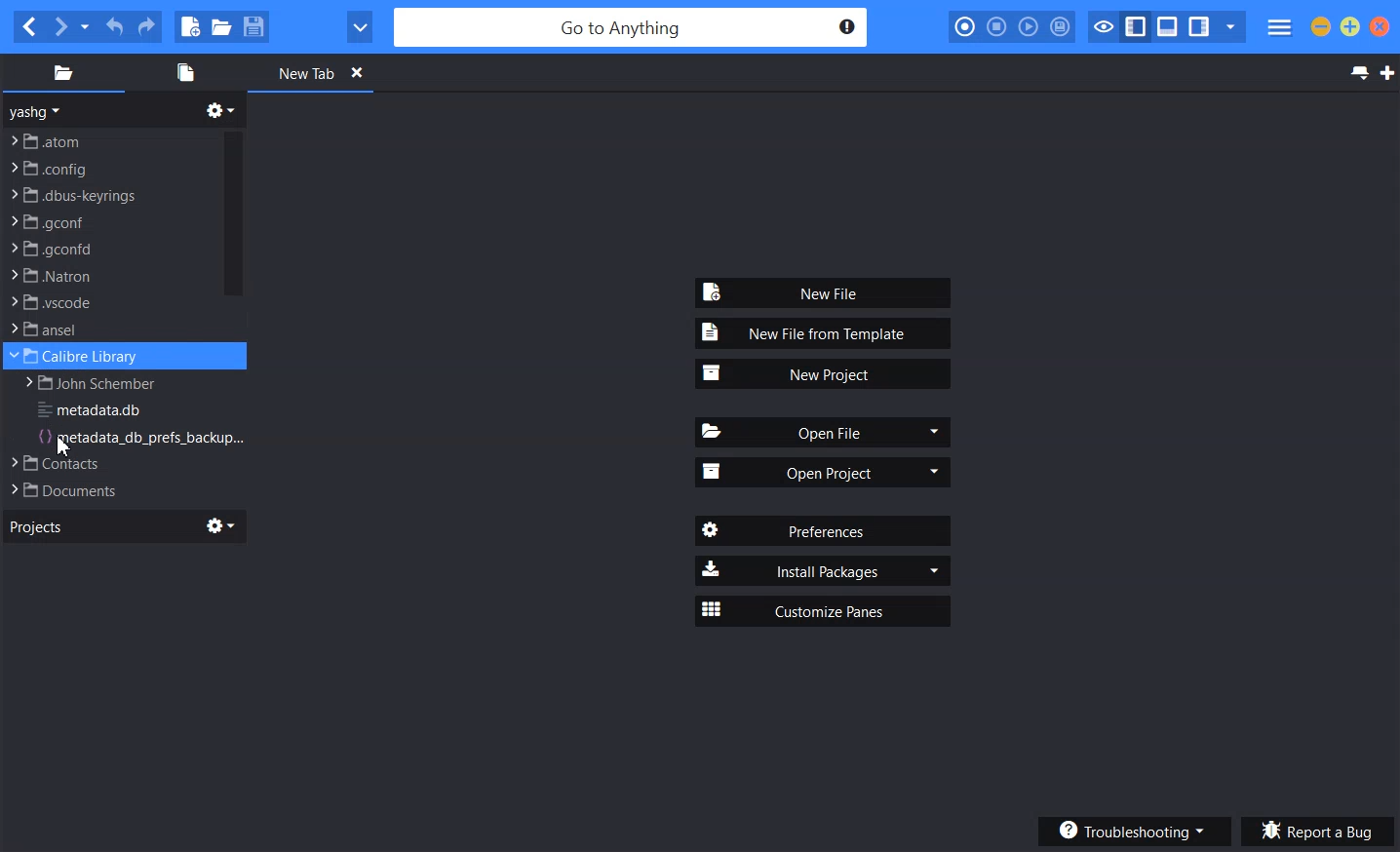 This screenshot has height=852, width=1400. Describe the element at coordinates (846, 26) in the screenshot. I see `Notification` at that location.